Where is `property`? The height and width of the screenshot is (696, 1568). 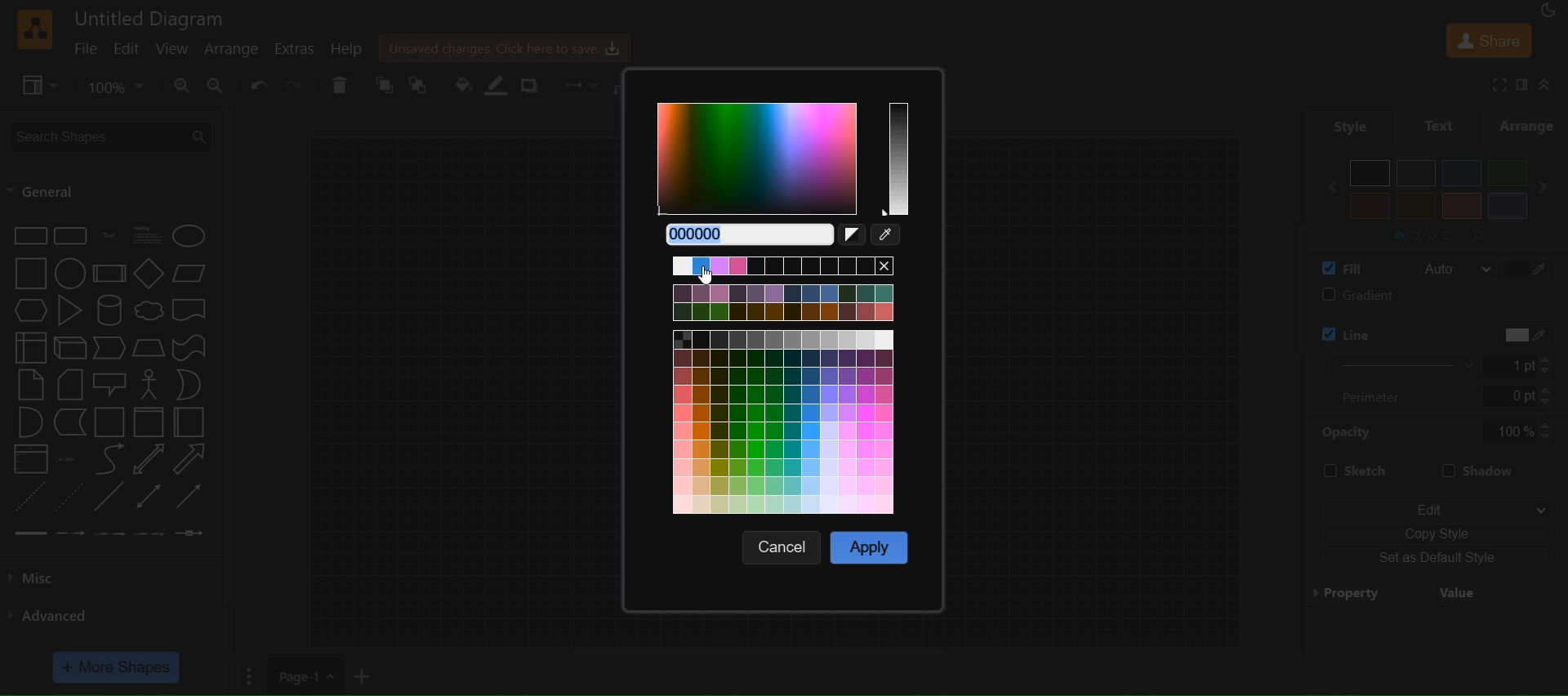
property is located at coordinates (1437, 591).